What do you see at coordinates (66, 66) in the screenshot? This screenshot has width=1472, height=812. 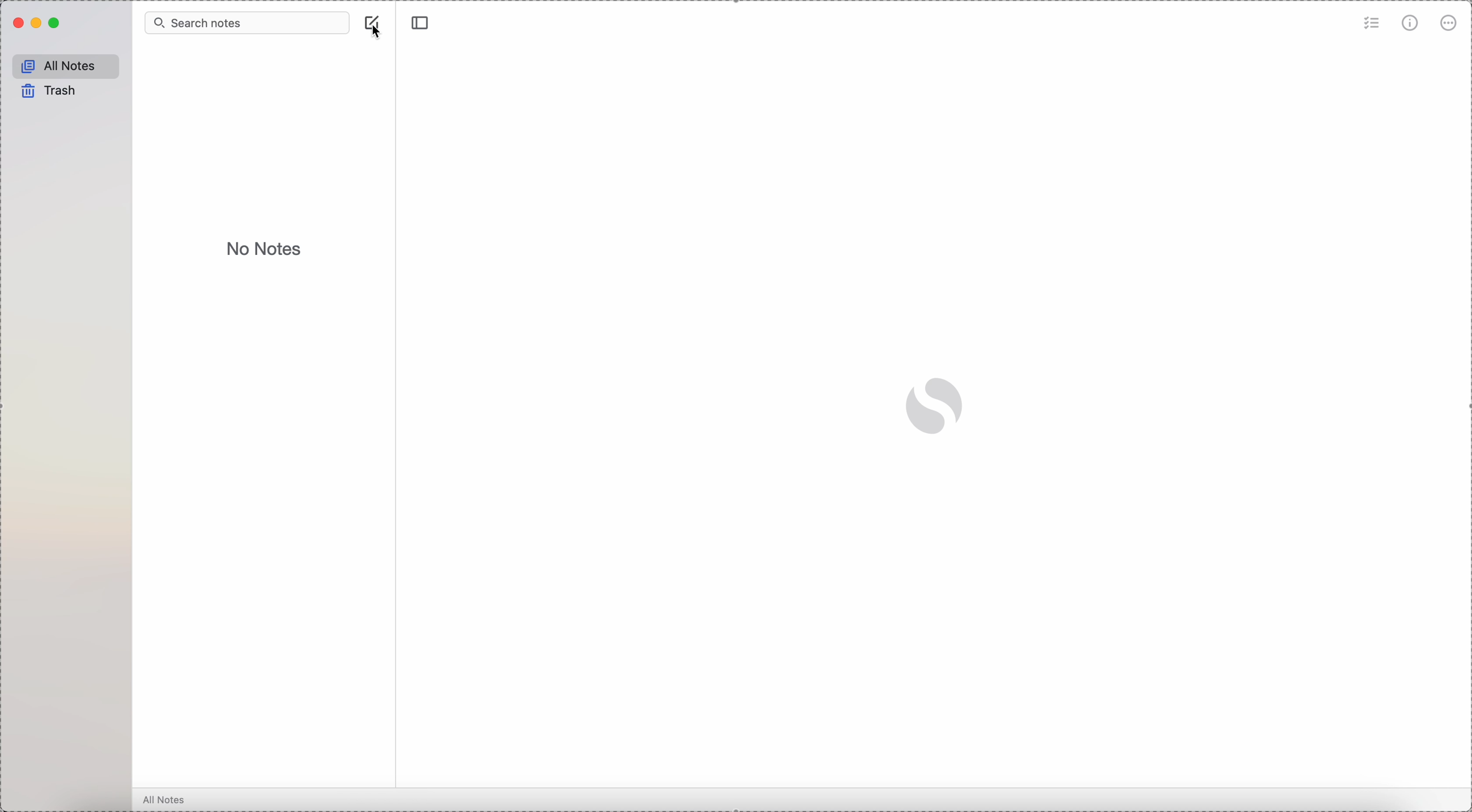 I see `all notes` at bounding box center [66, 66].